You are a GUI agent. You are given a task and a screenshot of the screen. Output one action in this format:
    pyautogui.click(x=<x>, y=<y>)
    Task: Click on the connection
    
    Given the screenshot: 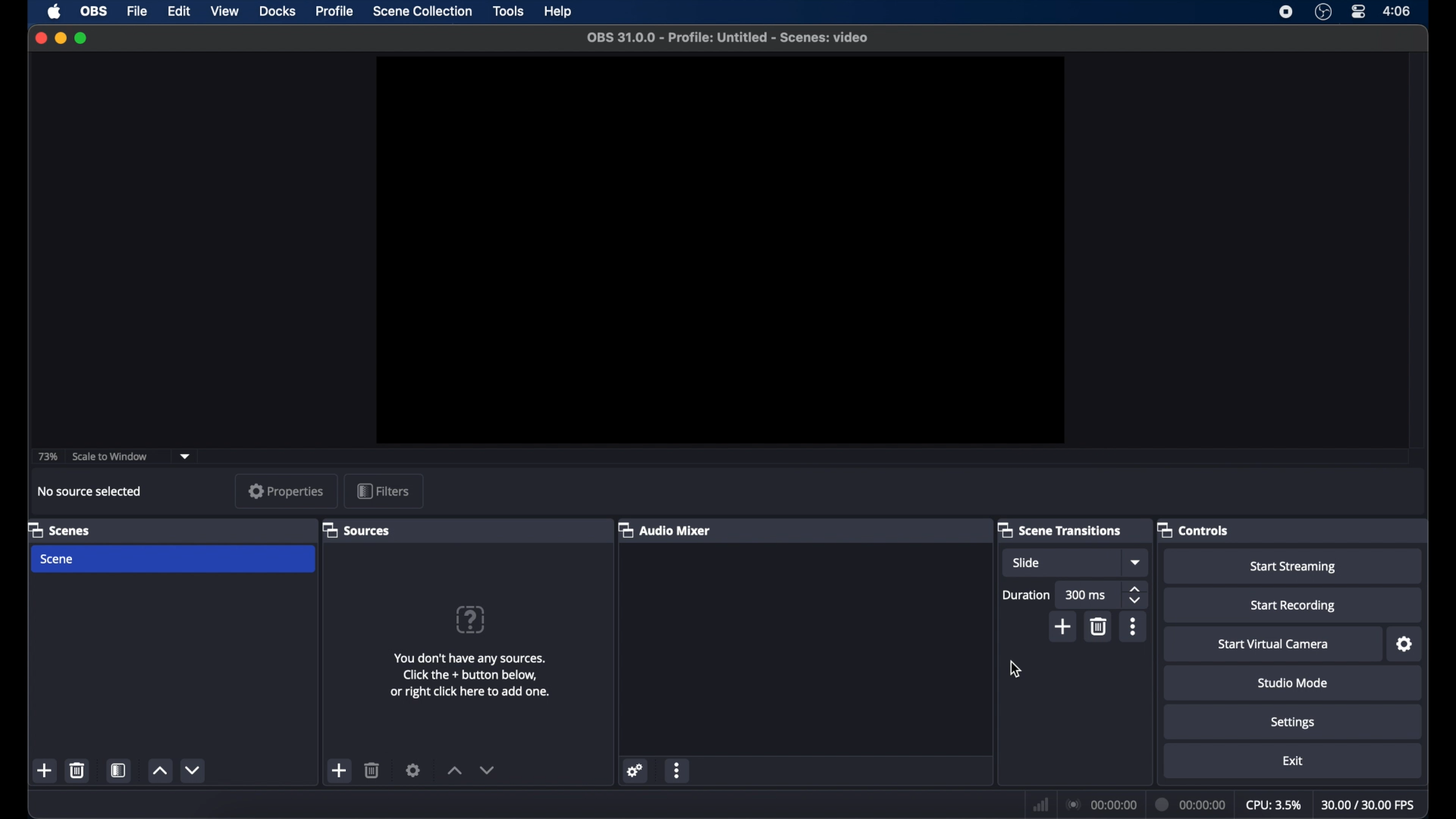 What is the action you would take?
    pyautogui.click(x=1100, y=804)
    